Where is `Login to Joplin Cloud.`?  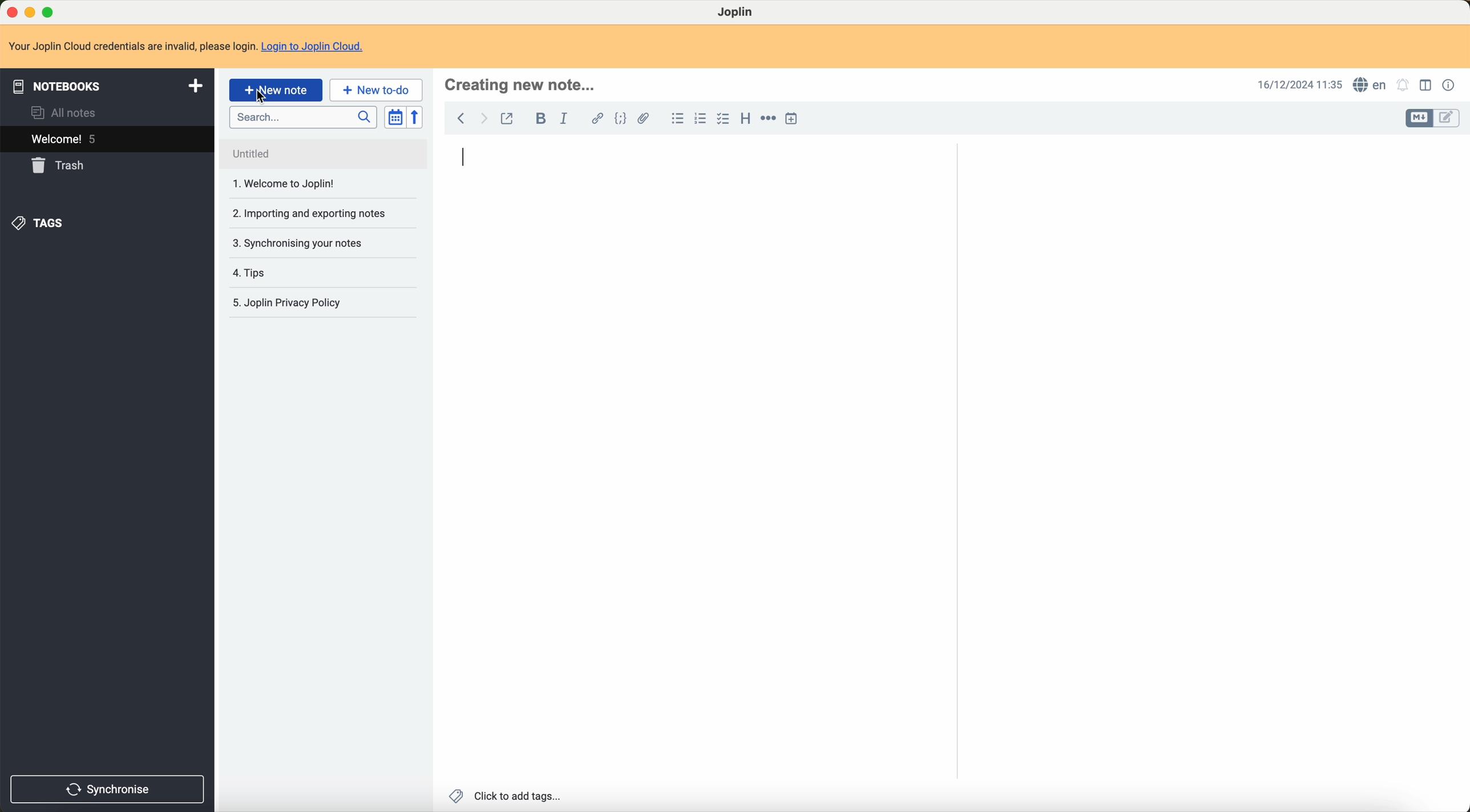 Login to Joplin Cloud. is located at coordinates (319, 47).